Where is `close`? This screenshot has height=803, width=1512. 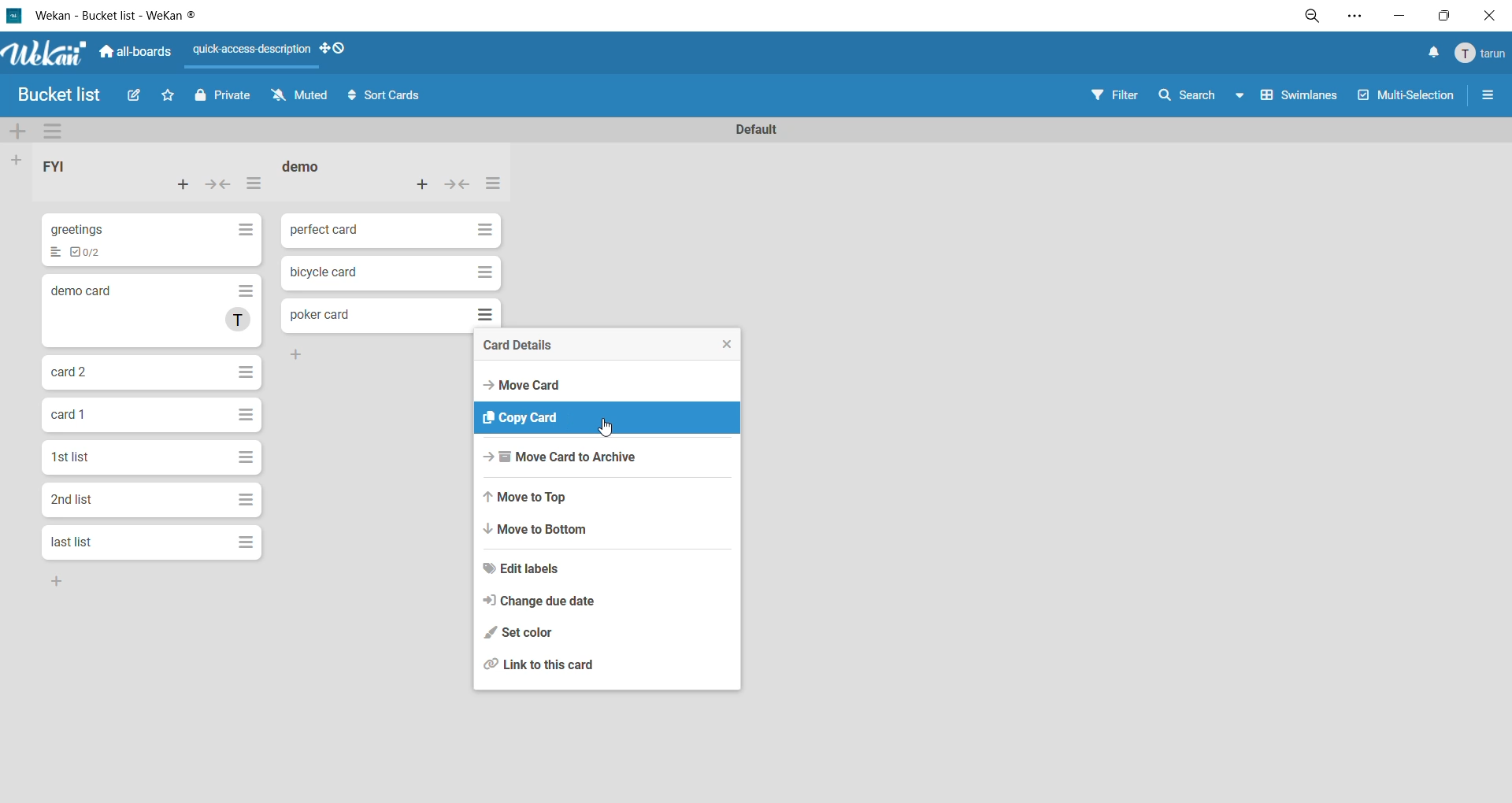 close is located at coordinates (1487, 16).